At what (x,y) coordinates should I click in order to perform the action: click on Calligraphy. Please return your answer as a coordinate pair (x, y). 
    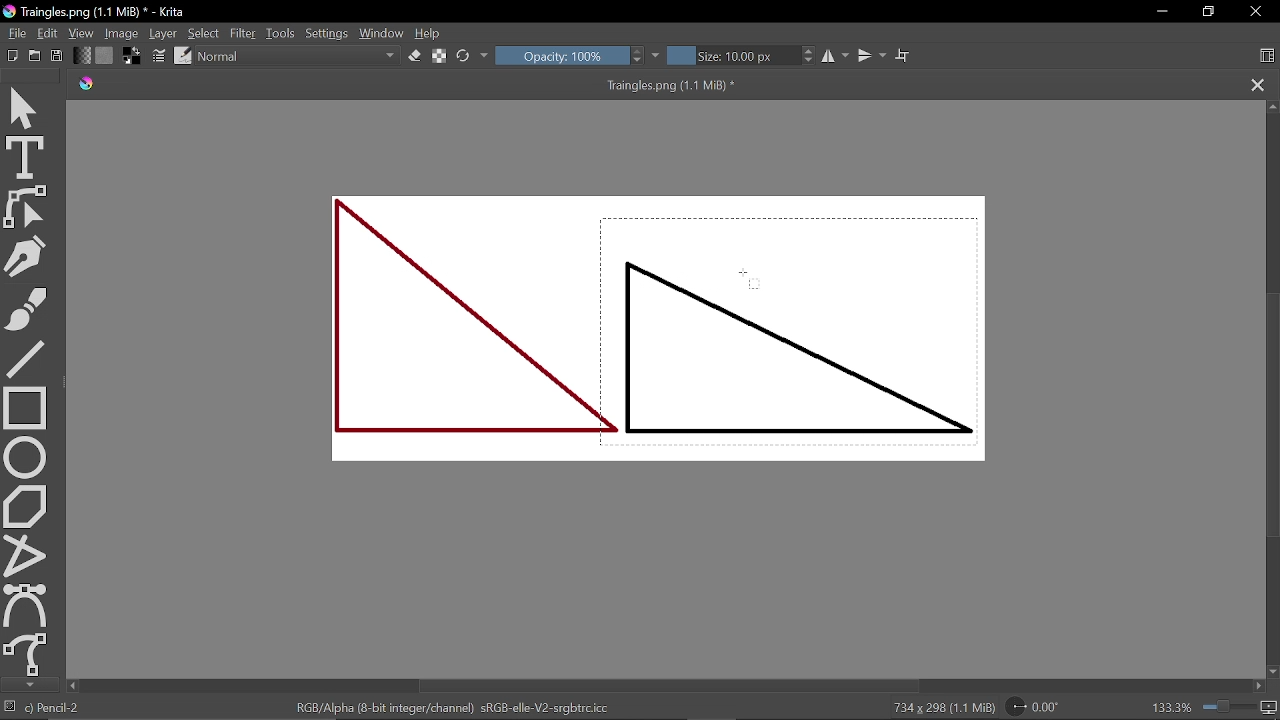
    Looking at the image, I should click on (27, 256).